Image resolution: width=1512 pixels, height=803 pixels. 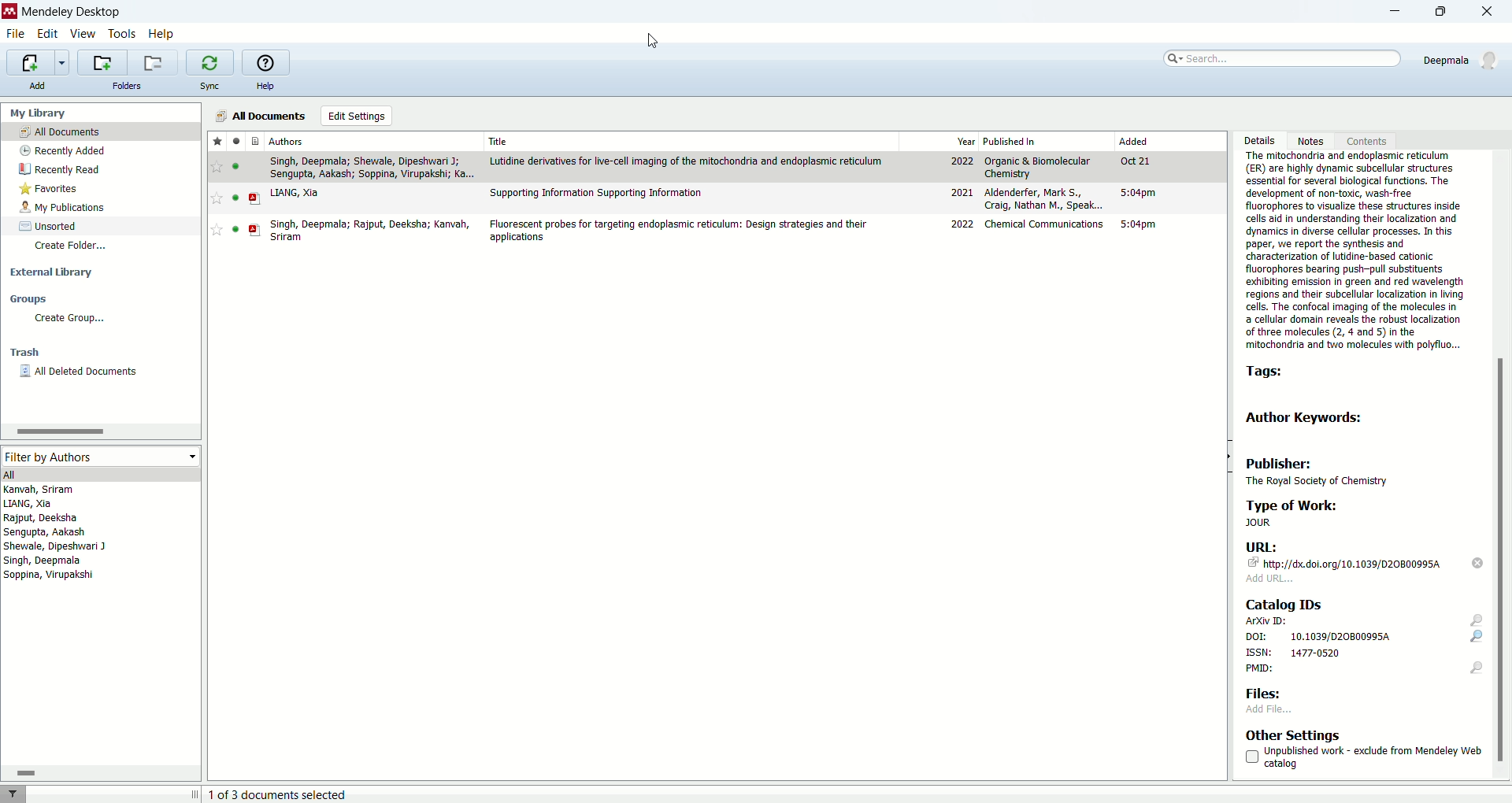 What do you see at coordinates (372, 168) in the screenshot?
I see `singh, deepmala; shewale, dipeshwari J; sengupta, aakash; soppina, virupakshi; ka` at bounding box center [372, 168].